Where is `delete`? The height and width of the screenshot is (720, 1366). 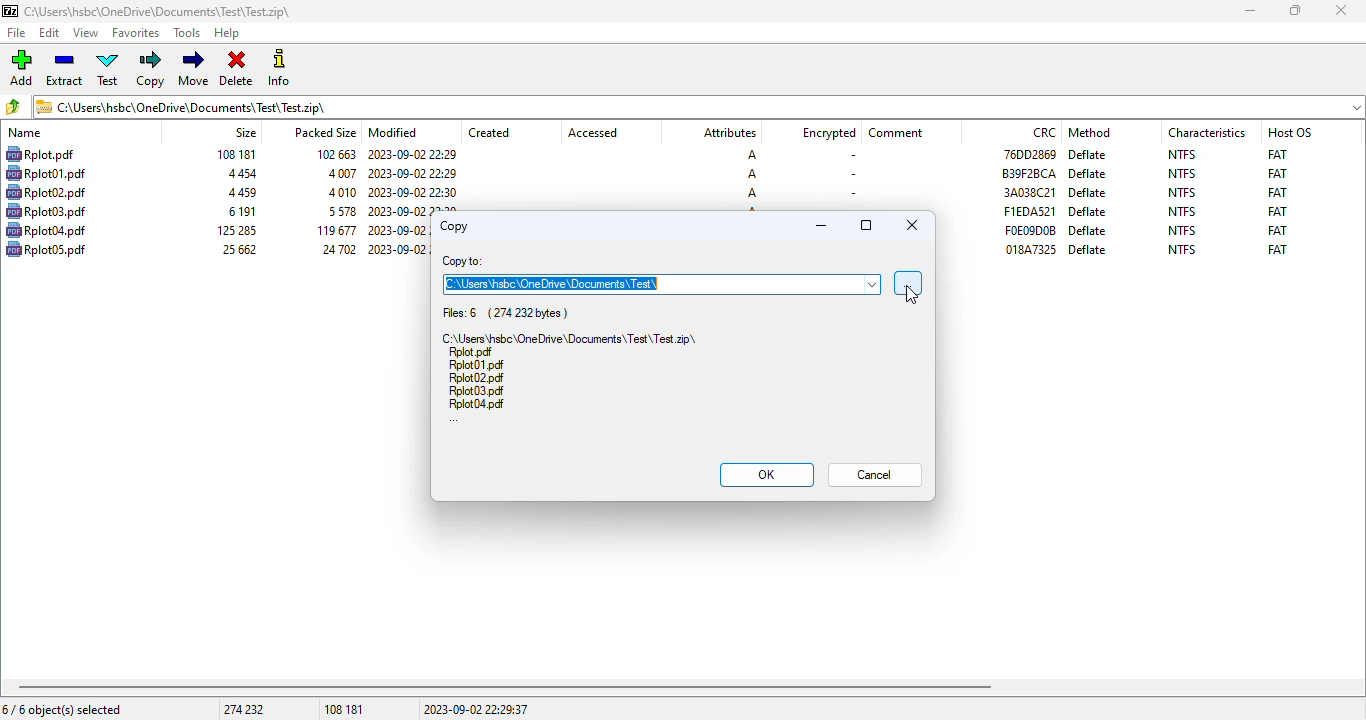 delete is located at coordinates (236, 69).